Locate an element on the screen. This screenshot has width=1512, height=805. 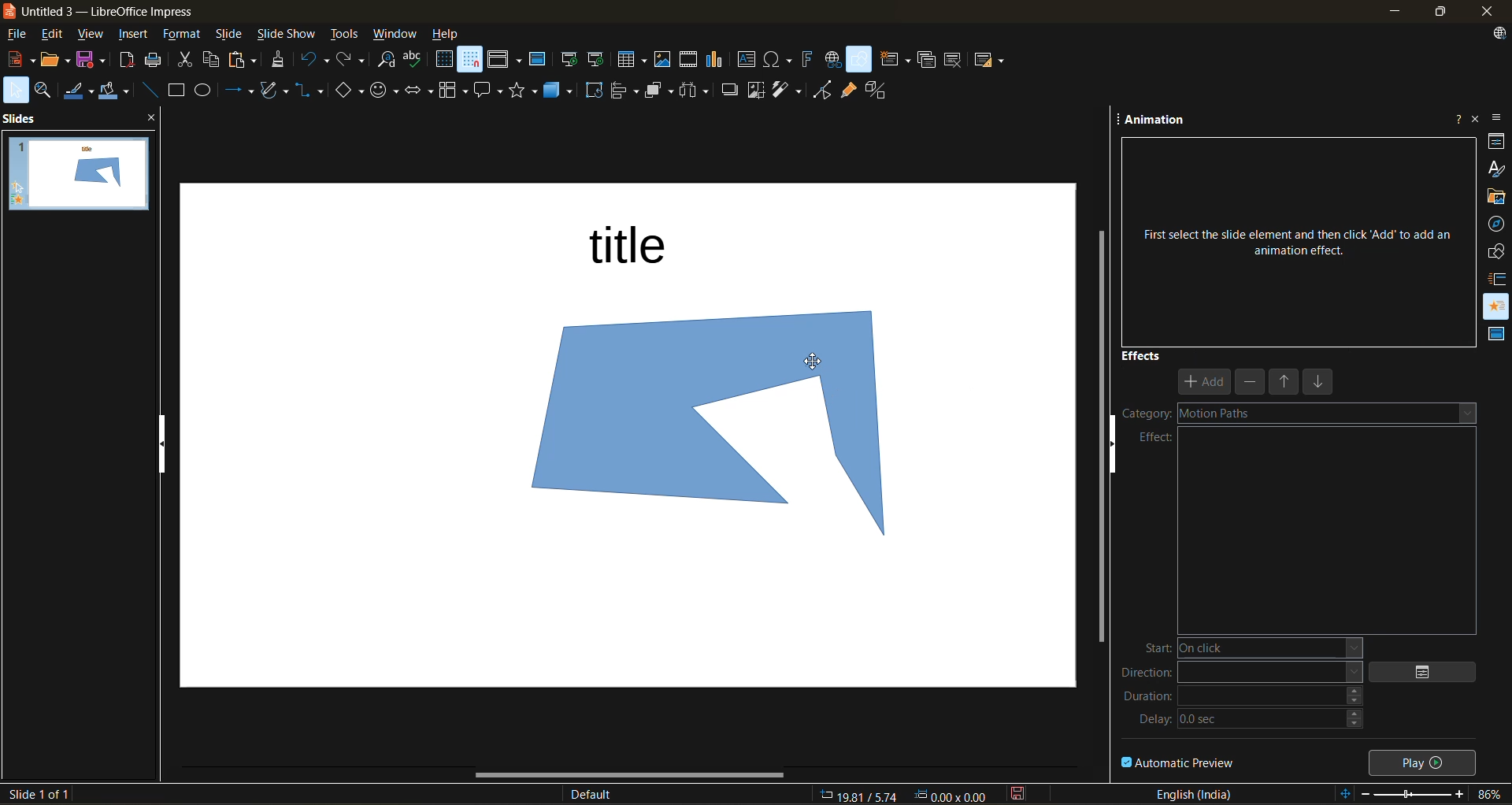
duration is located at coordinates (1248, 695).